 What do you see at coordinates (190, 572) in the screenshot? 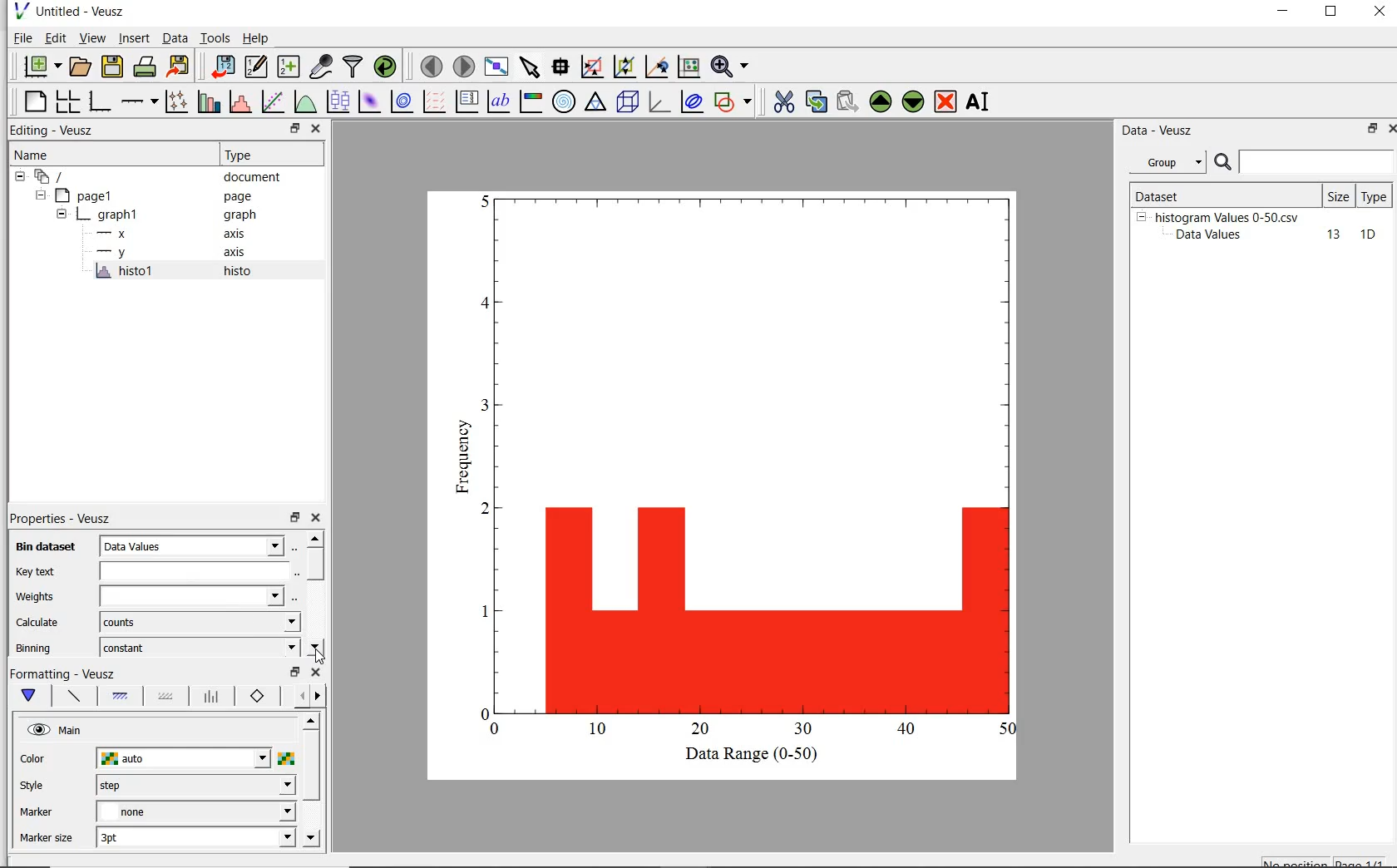
I see `input key text` at bounding box center [190, 572].